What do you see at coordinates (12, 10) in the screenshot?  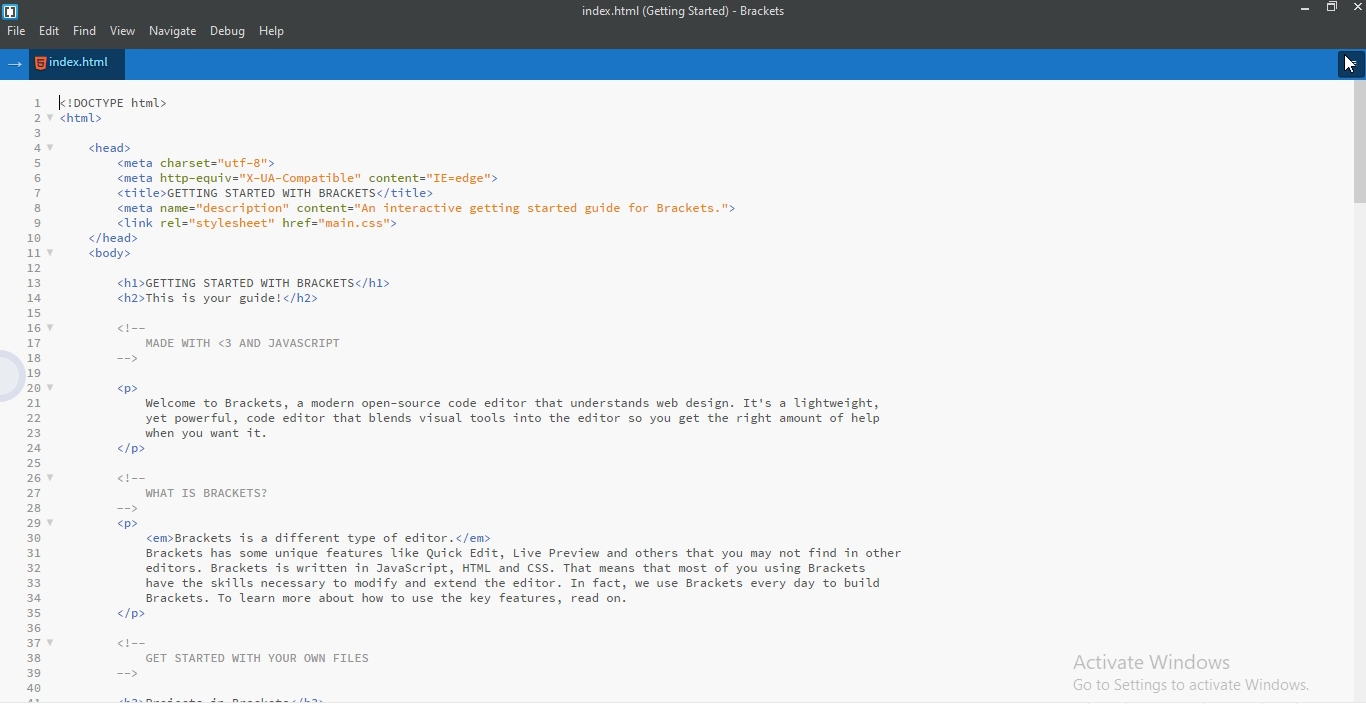 I see `logo` at bounding box center [12, 10].